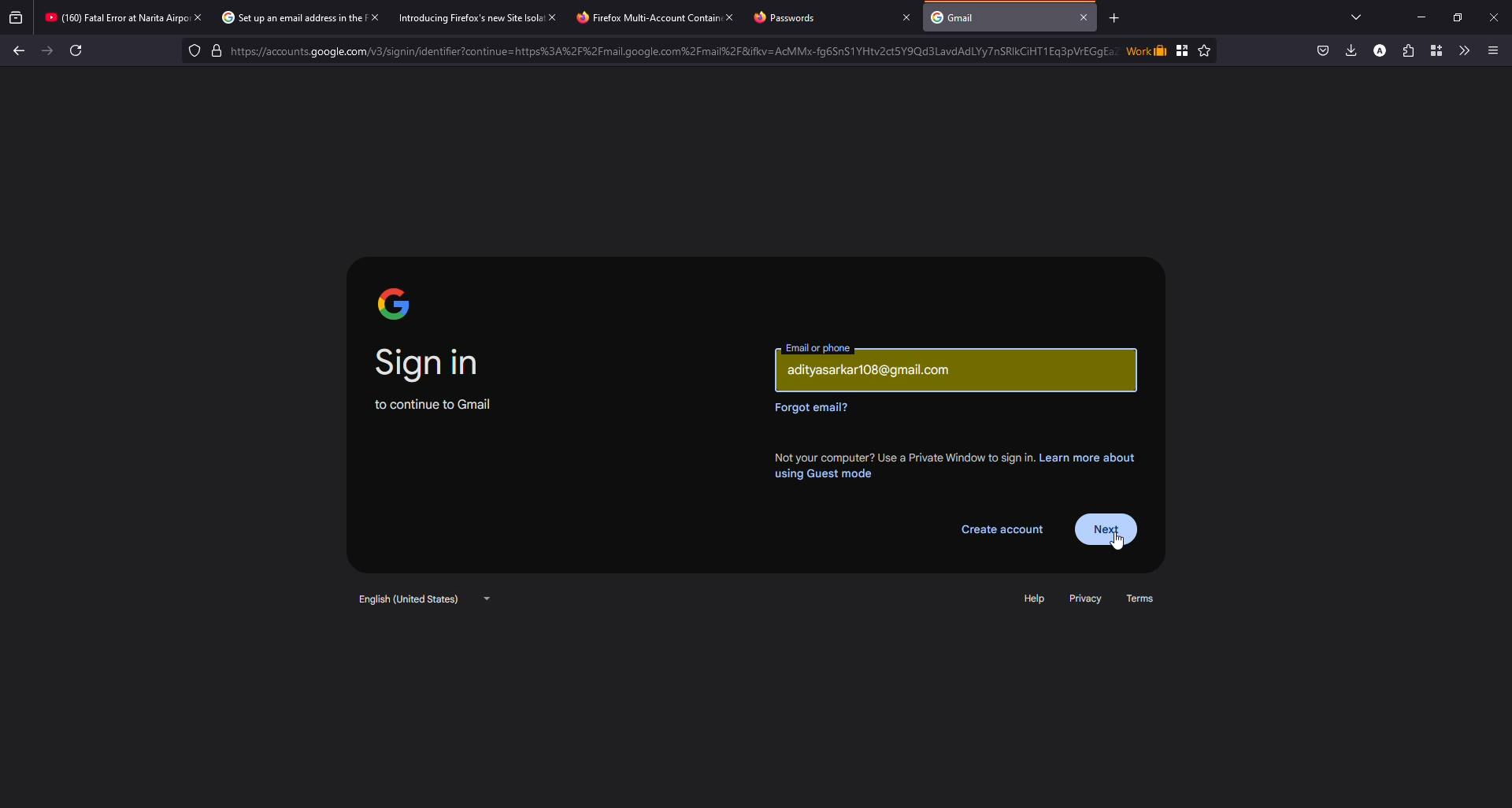 The height and width of the screenshot is (808, 1512). Describe the element at coordinates (729, 17) in the screenshot. I see `close` at that location.